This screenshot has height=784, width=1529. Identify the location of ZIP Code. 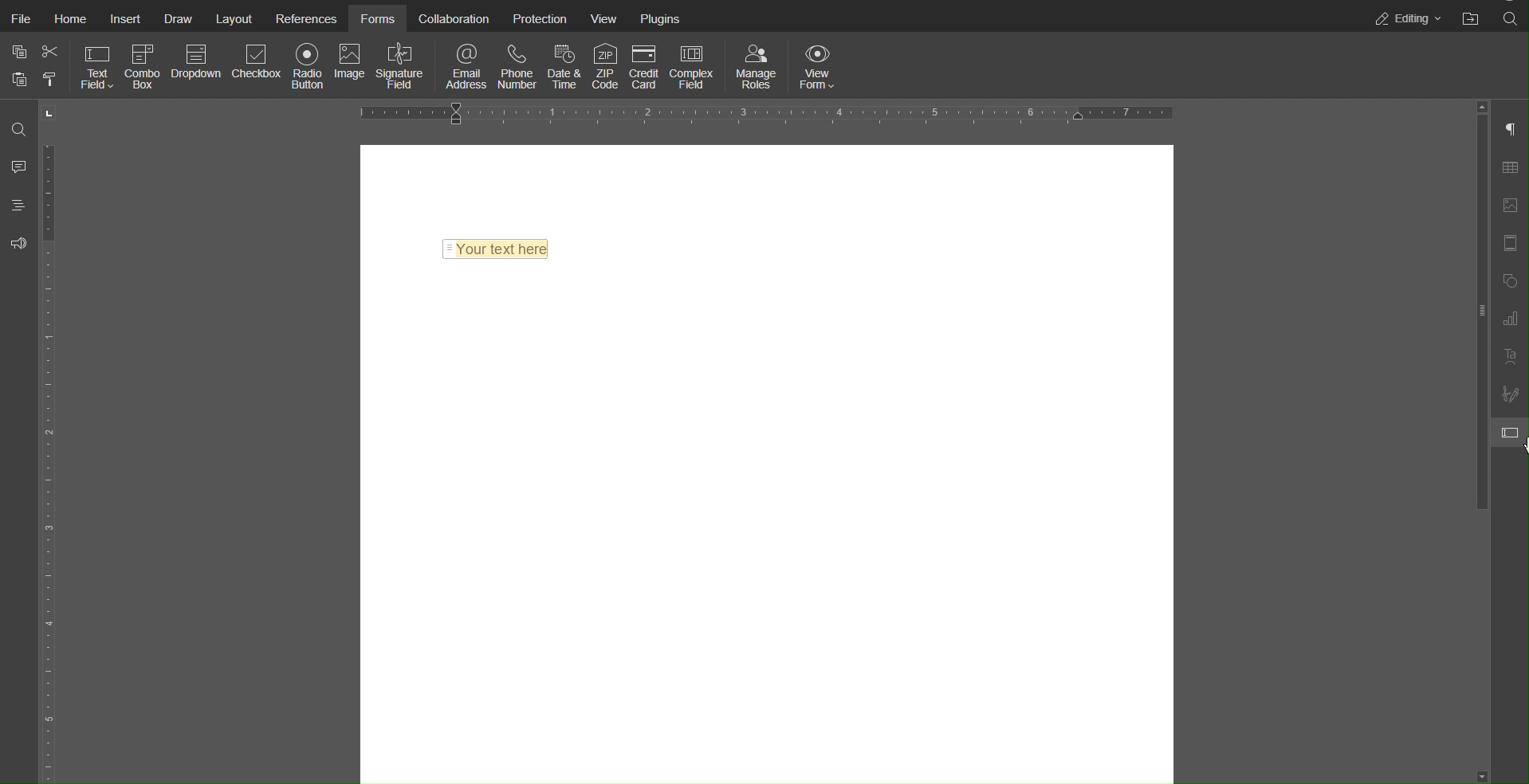
(605, 66).